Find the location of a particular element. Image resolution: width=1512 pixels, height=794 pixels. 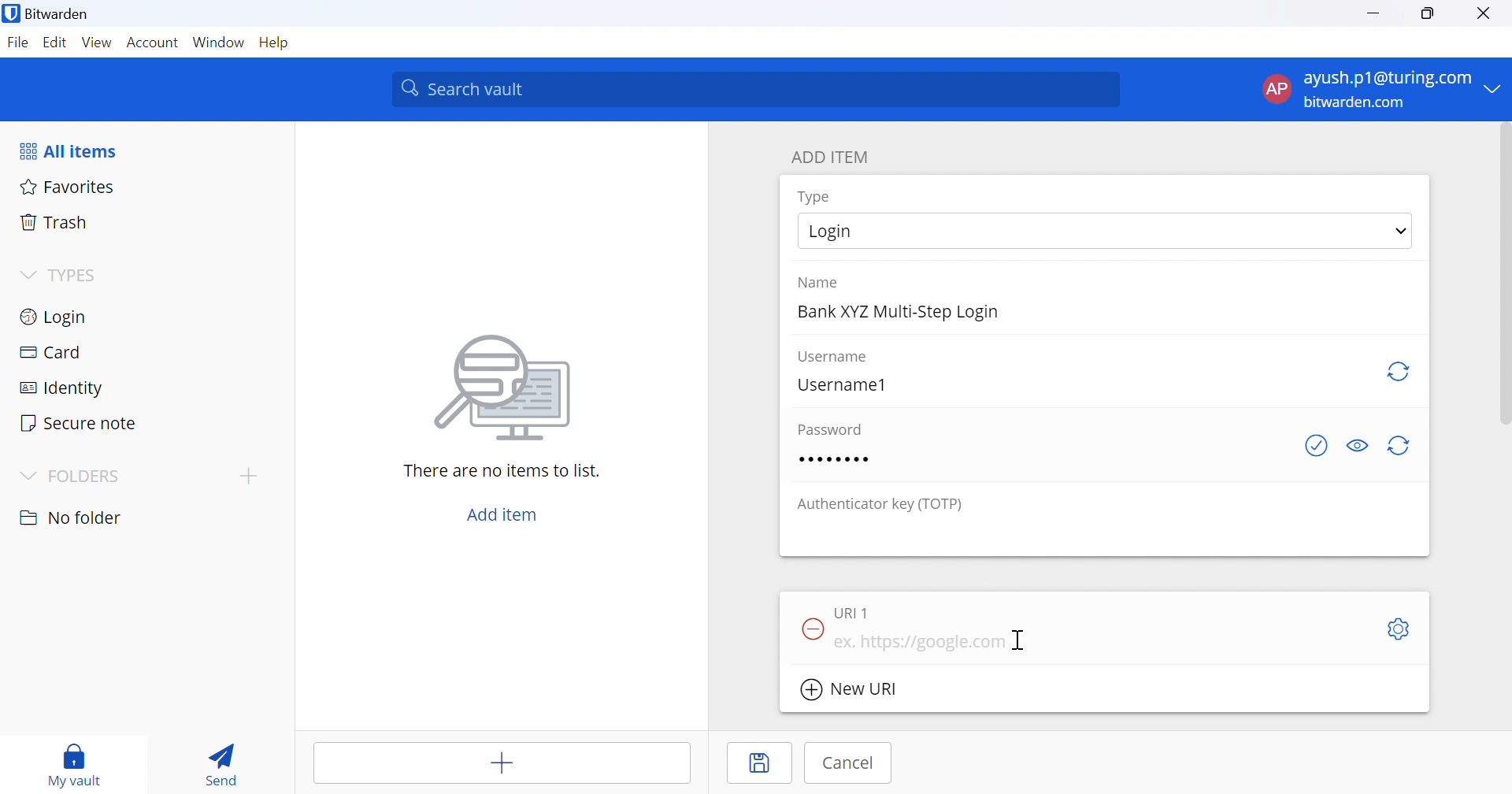

Minimize is located at coordinates (1373, 15).